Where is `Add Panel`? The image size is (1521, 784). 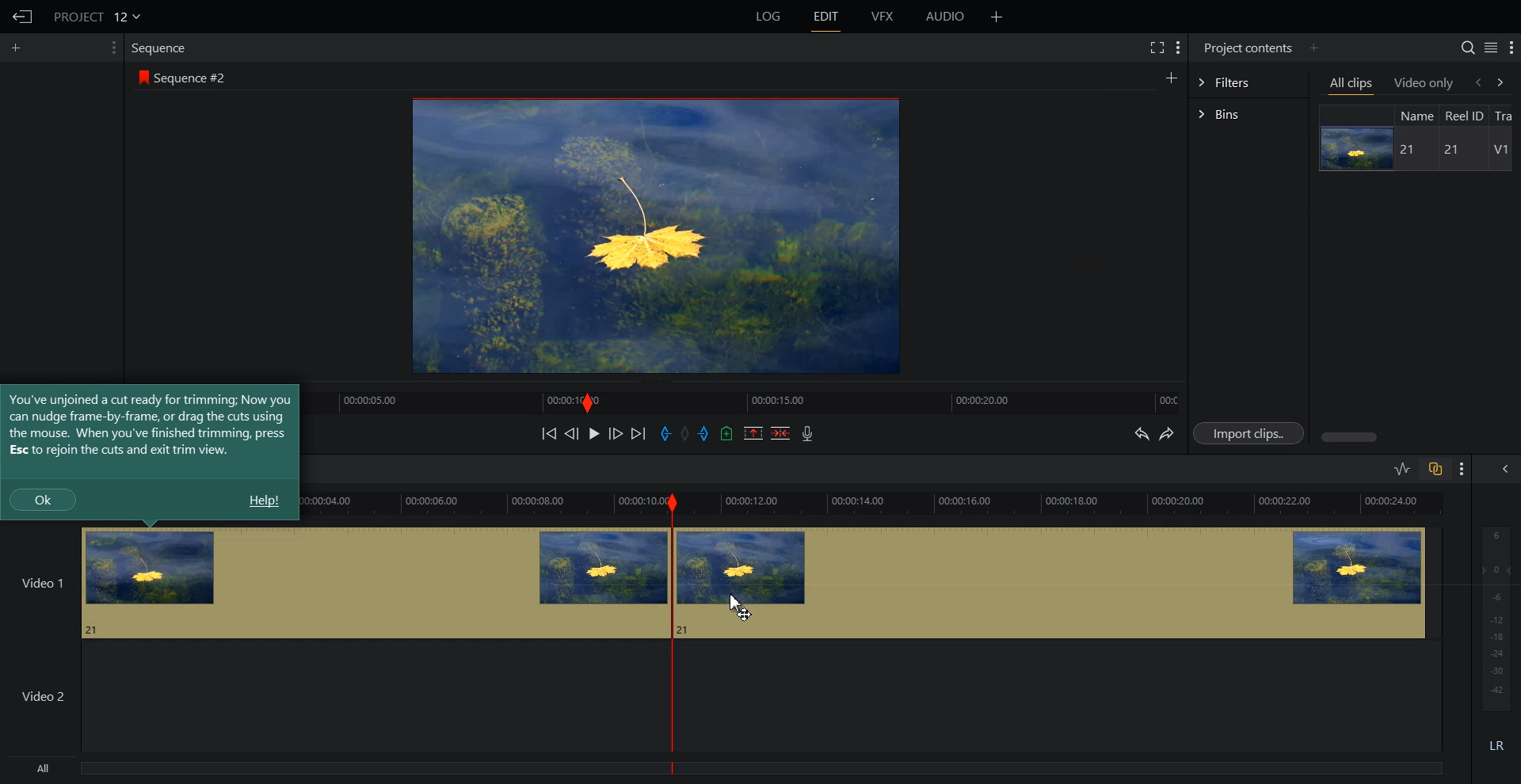
Add Panel is located at coordinates (1313, 48).